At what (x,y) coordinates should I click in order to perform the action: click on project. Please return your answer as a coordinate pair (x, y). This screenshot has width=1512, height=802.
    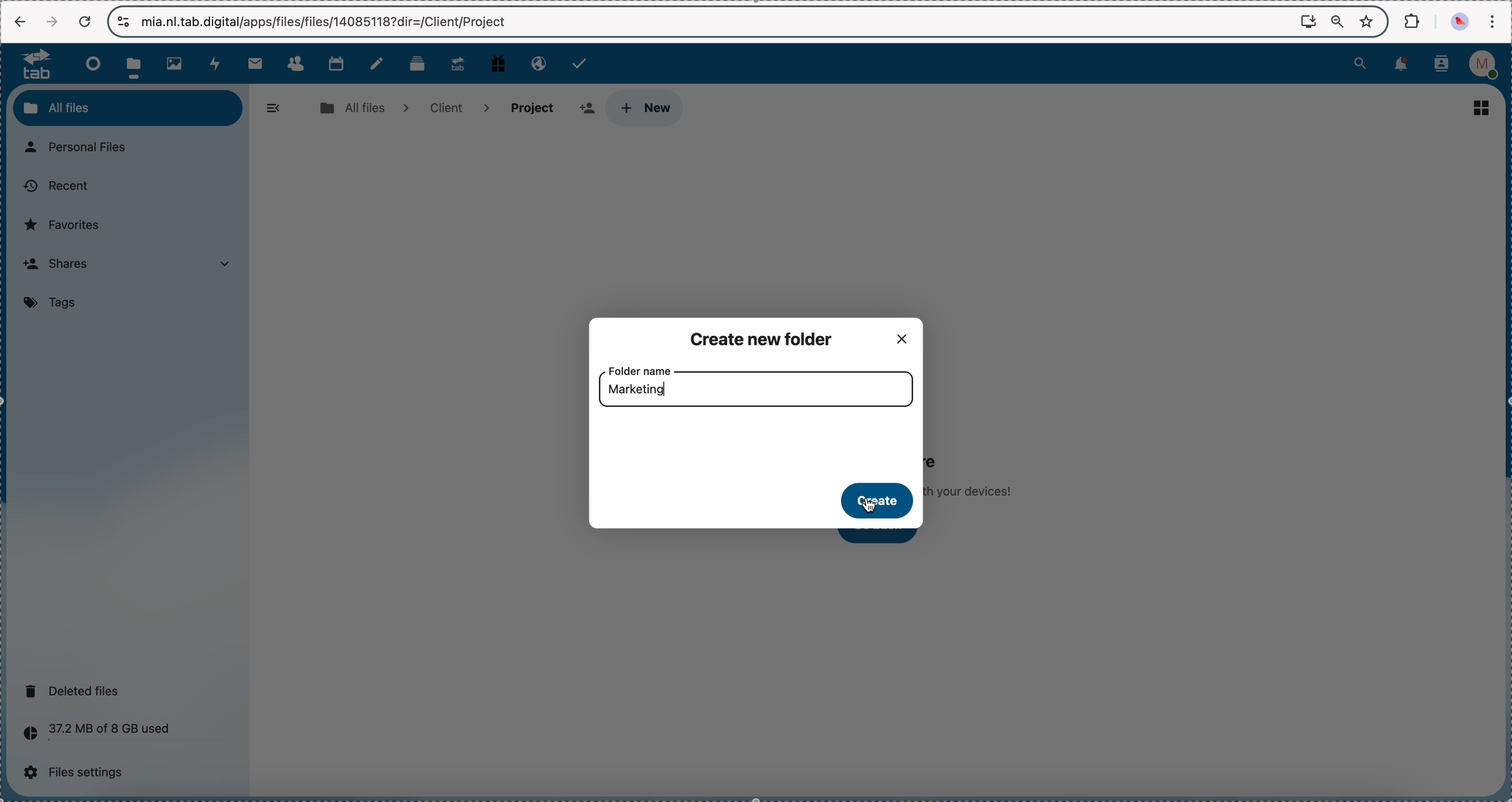
    Looking at the image, I should click on (533, 107).